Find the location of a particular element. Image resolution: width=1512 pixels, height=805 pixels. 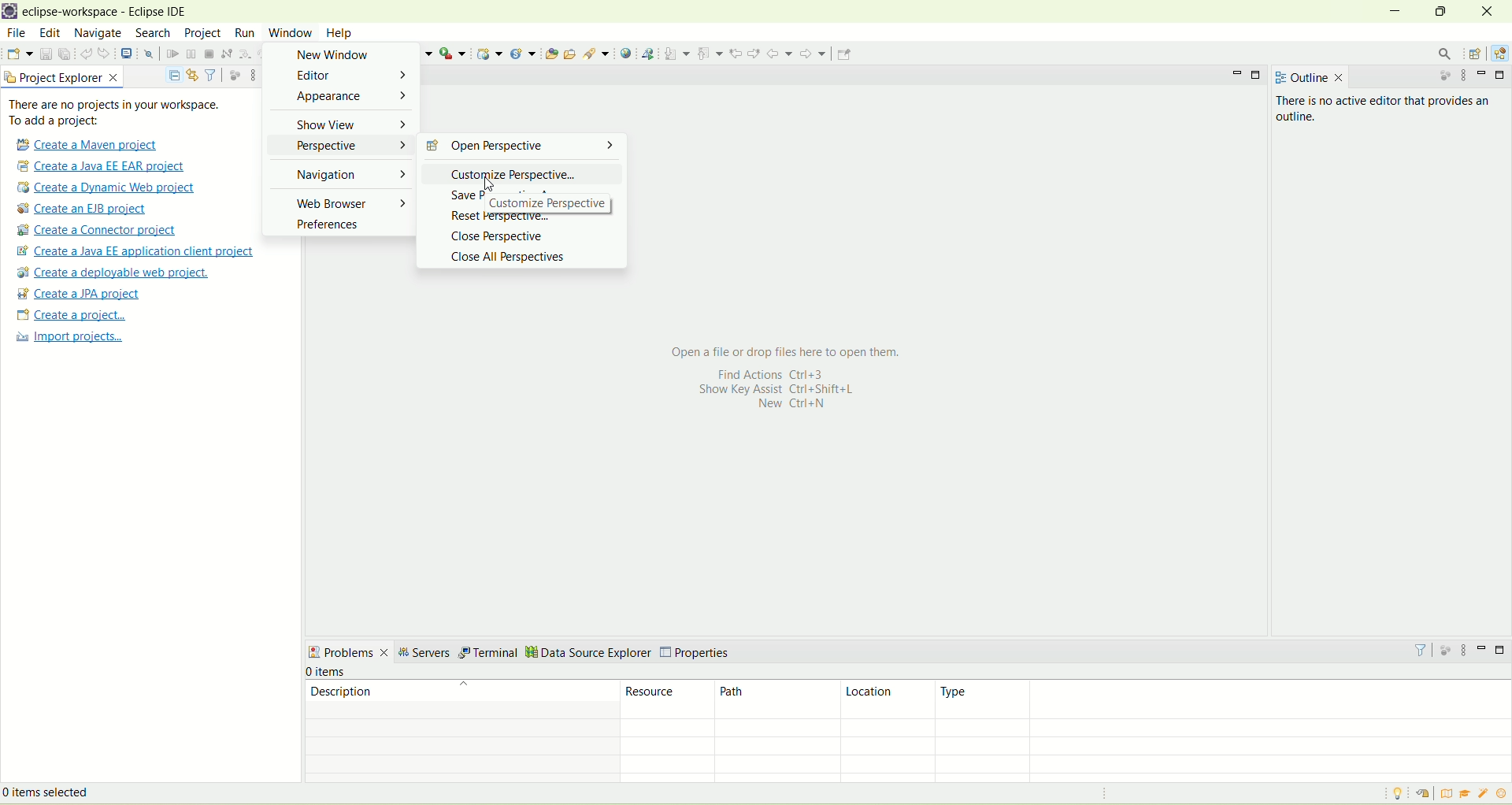

preferences is located at coordinates (325, 226).